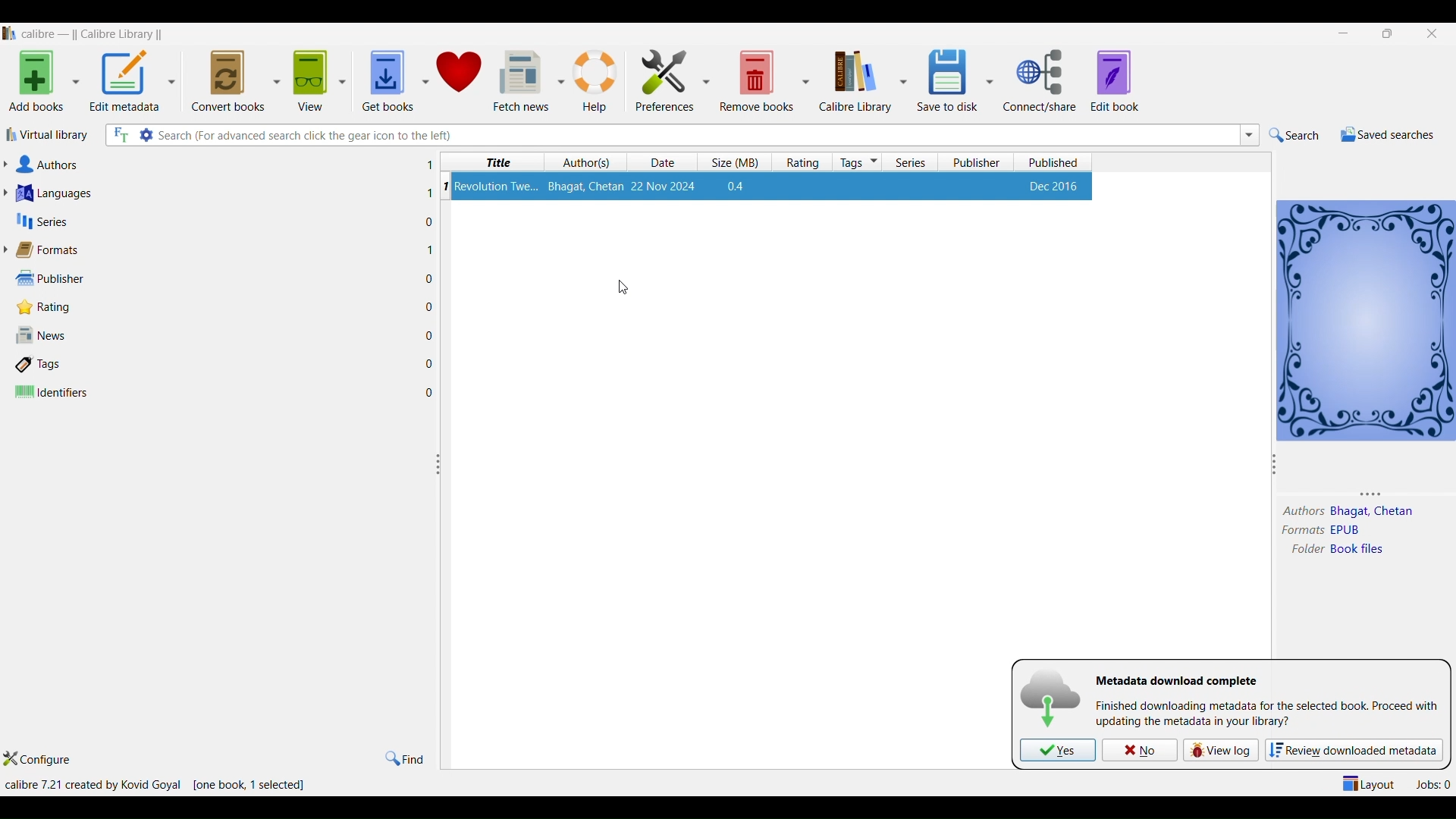 This screenshot has width=1456, height=819. What do you see at coordinates (598, 75) in the screenshot?
I see `help` at bounding box center [598, 75].